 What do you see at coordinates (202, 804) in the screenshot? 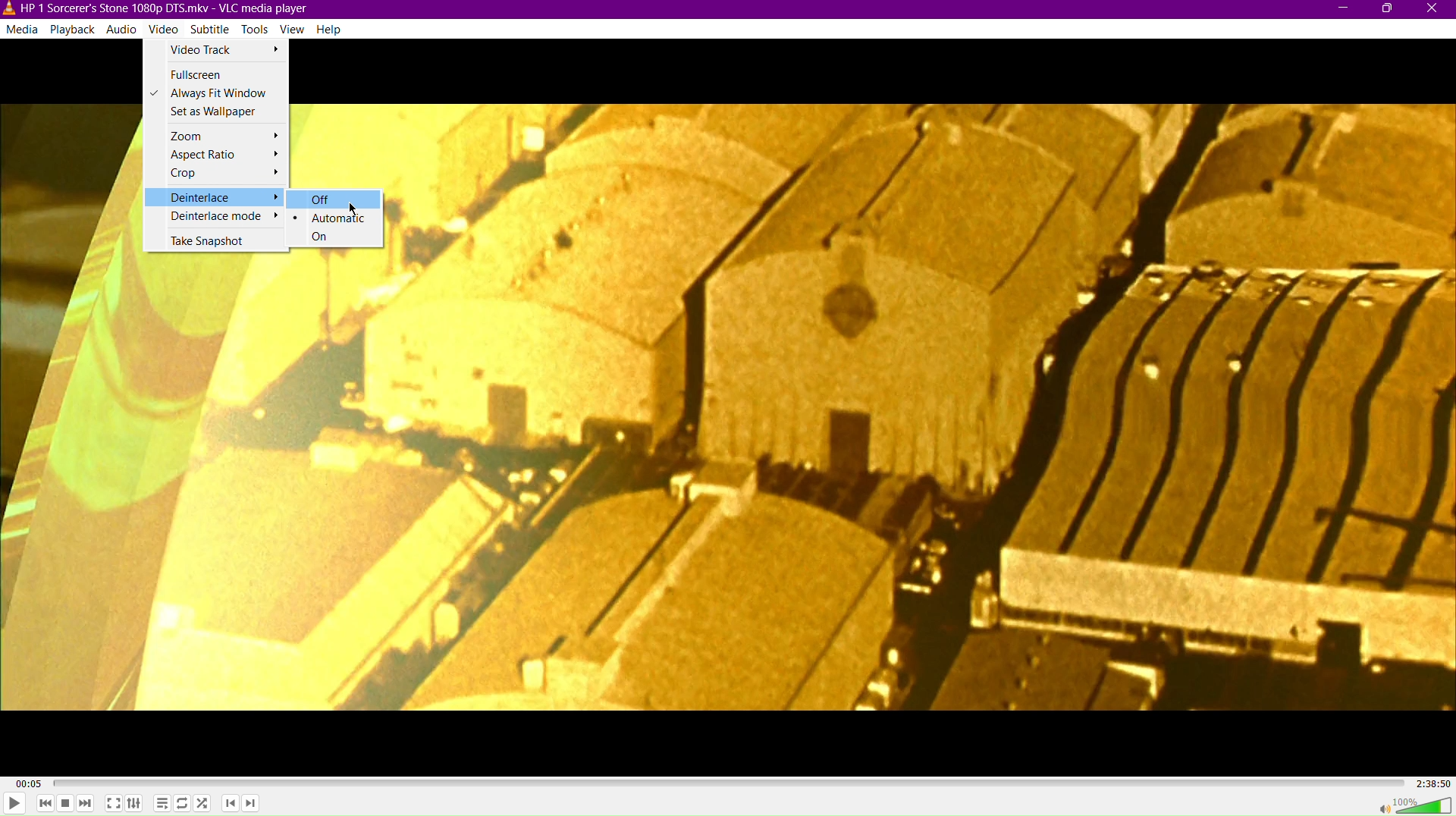
I see `Random` at bounding box center [202, 804].